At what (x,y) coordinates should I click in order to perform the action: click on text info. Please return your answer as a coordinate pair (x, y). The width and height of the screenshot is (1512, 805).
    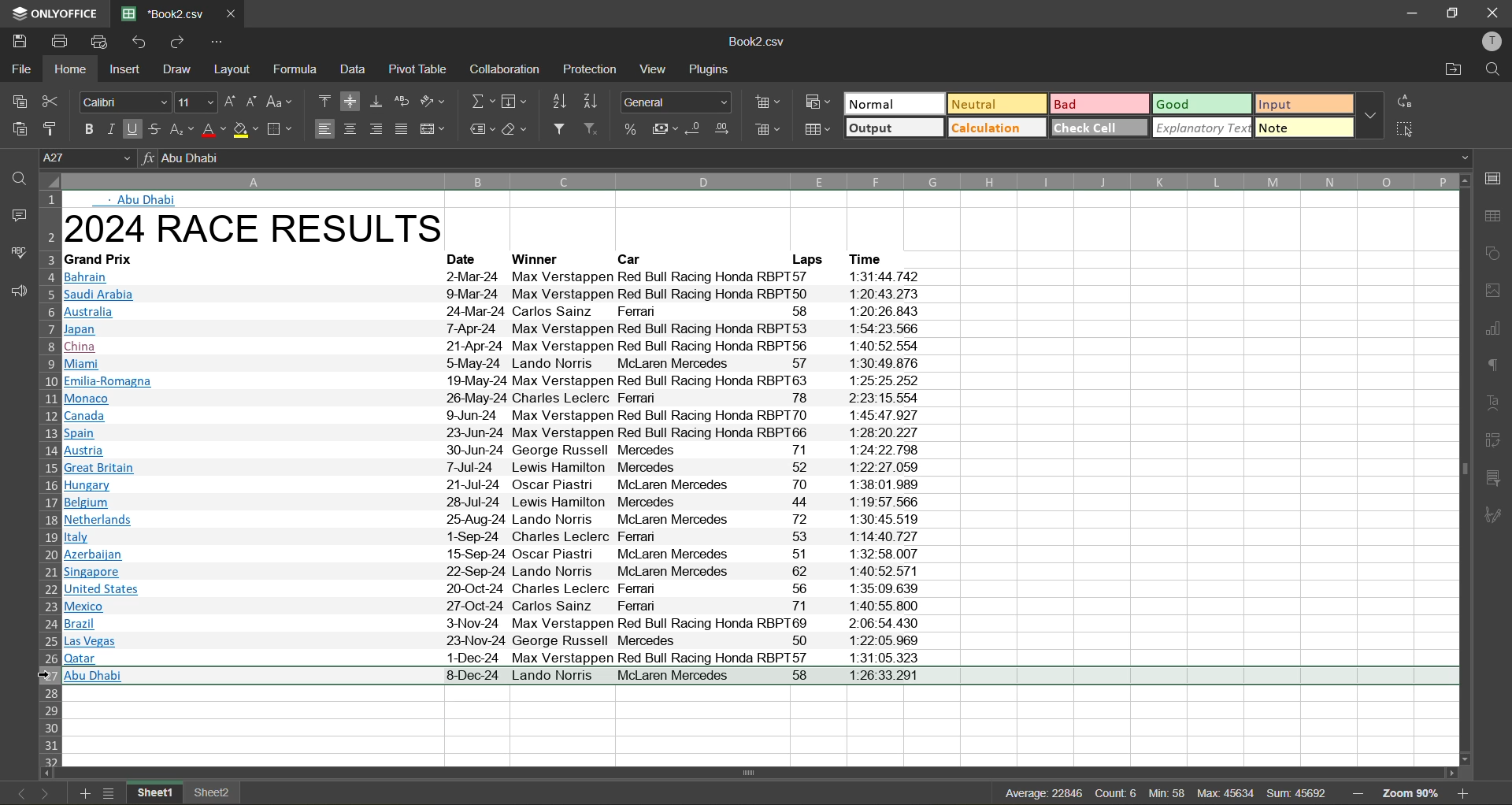
    Looking at the image, I should click on (495, 414).